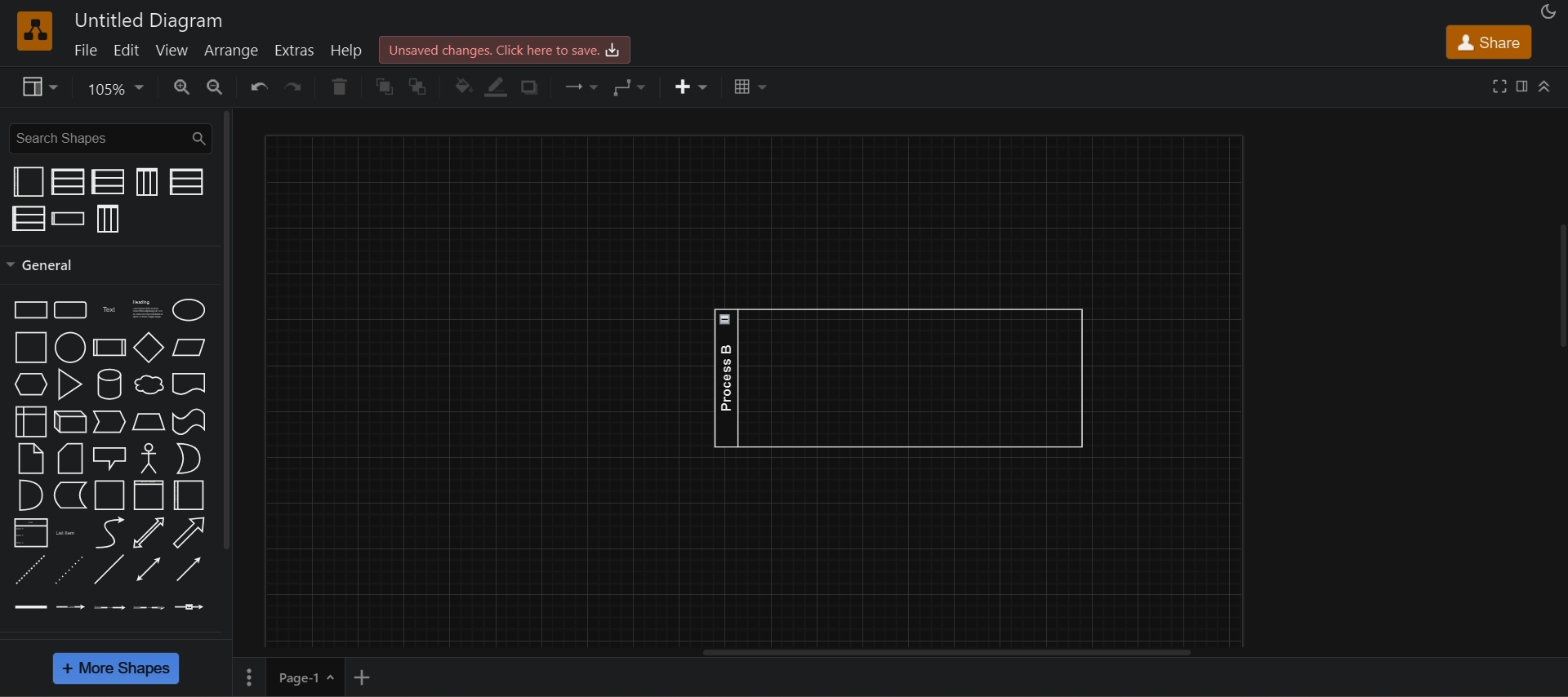 The width and height of the screenshot is (1568, 697). I want to click on format, so click(1522, 84).